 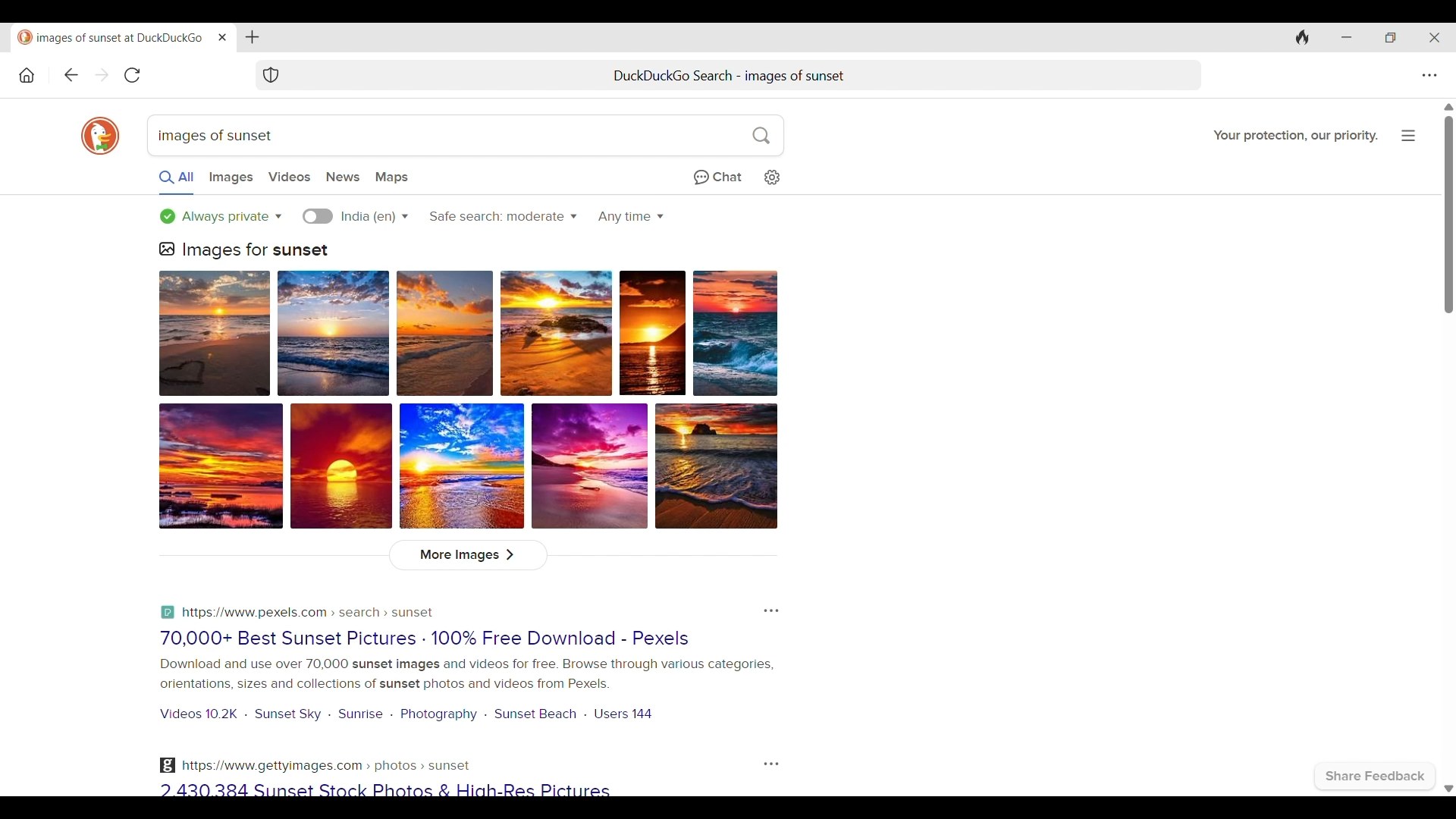 What do you see at coordinates (271, 75) in the screenshot?
I see `Browser protection` at bounding box center [271, 75].